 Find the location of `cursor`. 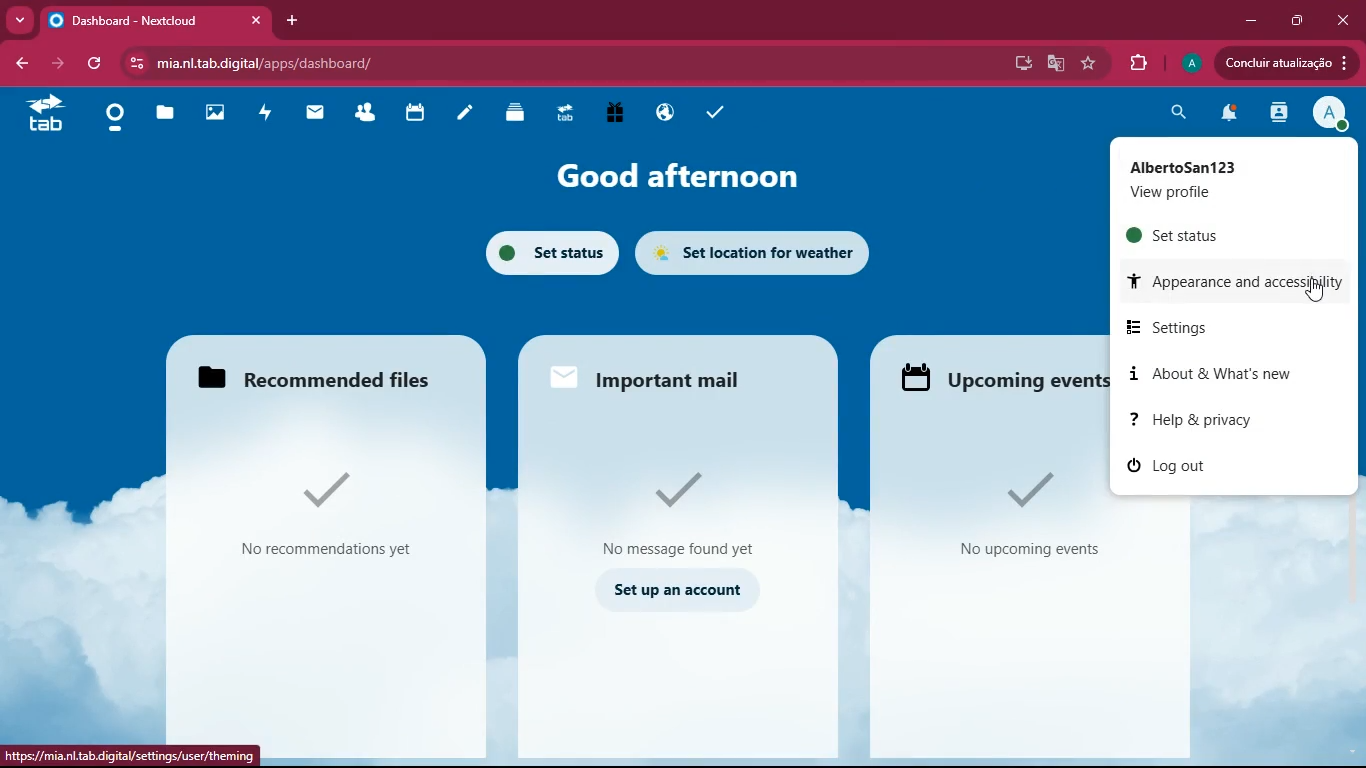

cursor is located at coordinates (1316, 291).